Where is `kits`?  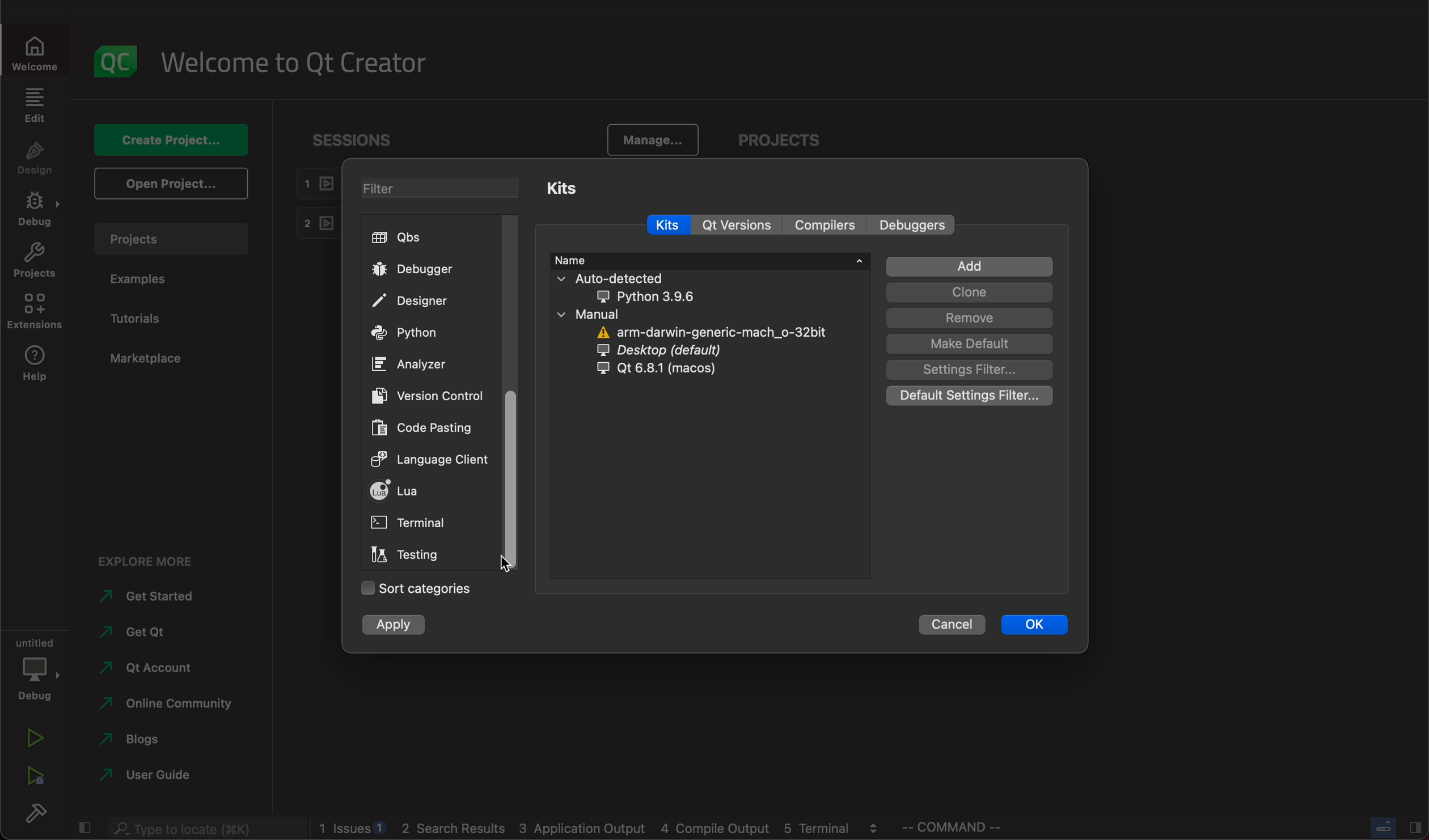
kits is located at coordinates (585, 189).